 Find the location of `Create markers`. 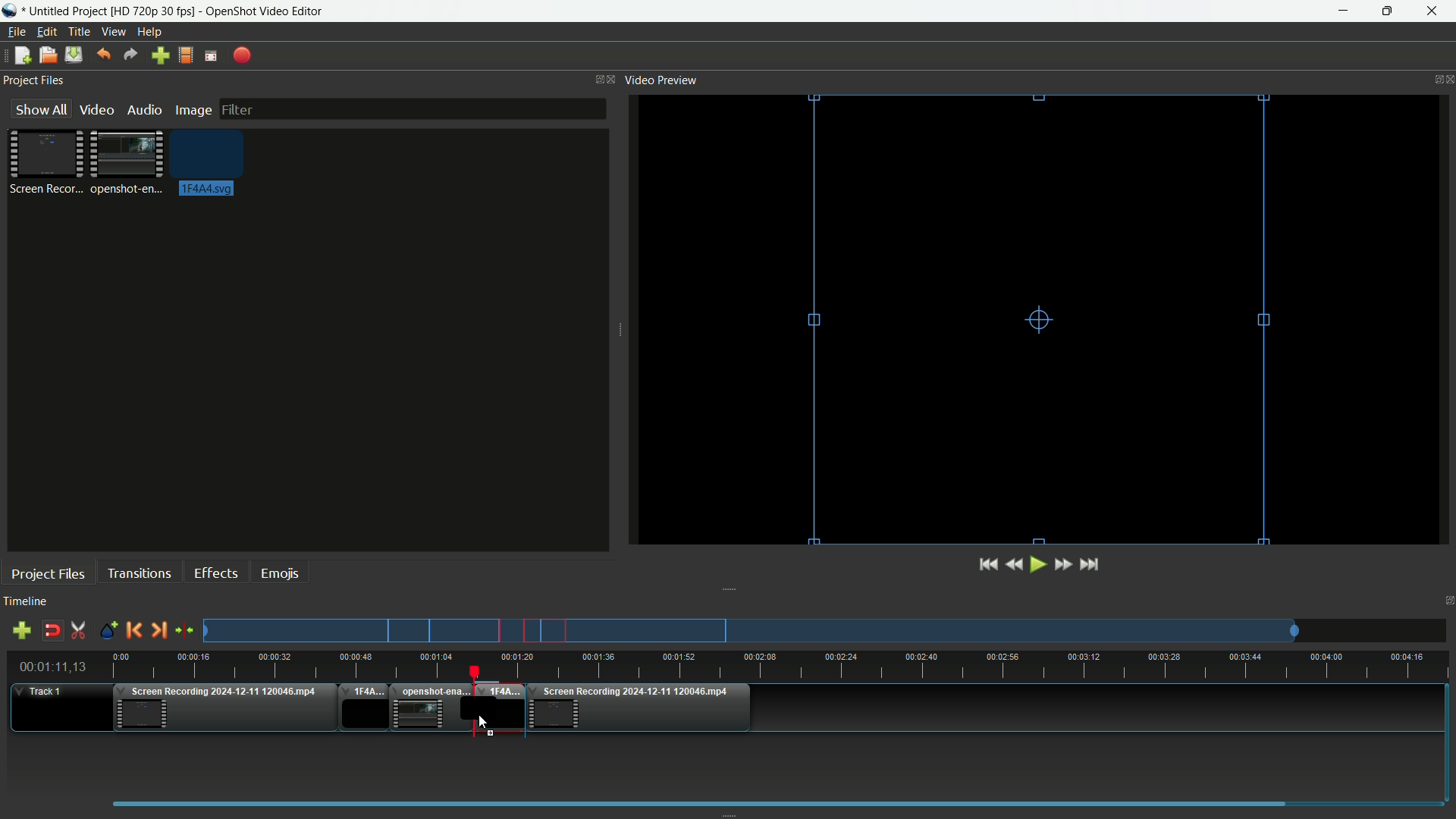

Create markers is located at coordinates (104, 631).